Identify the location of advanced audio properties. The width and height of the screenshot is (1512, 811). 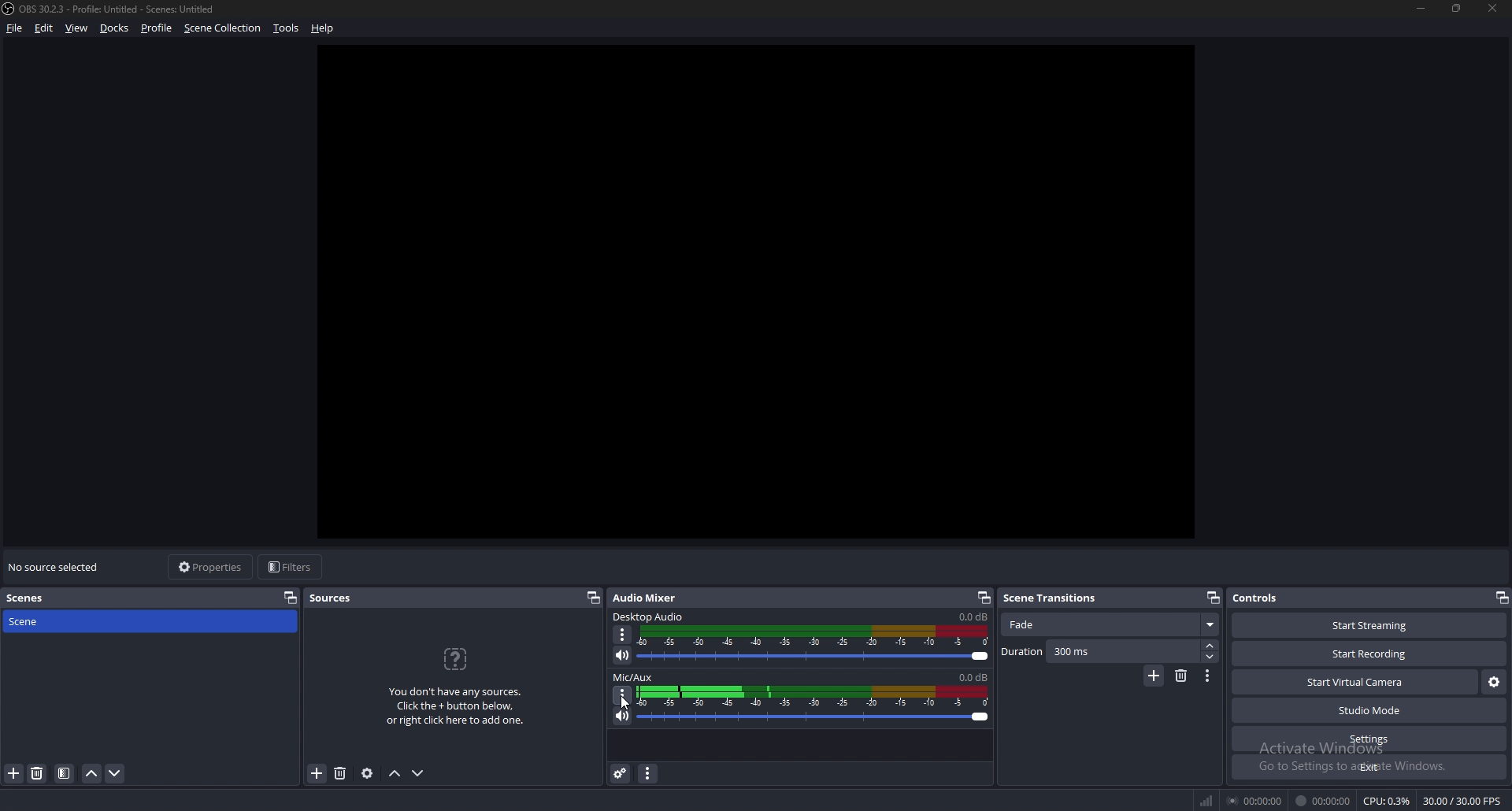
(621, 773).